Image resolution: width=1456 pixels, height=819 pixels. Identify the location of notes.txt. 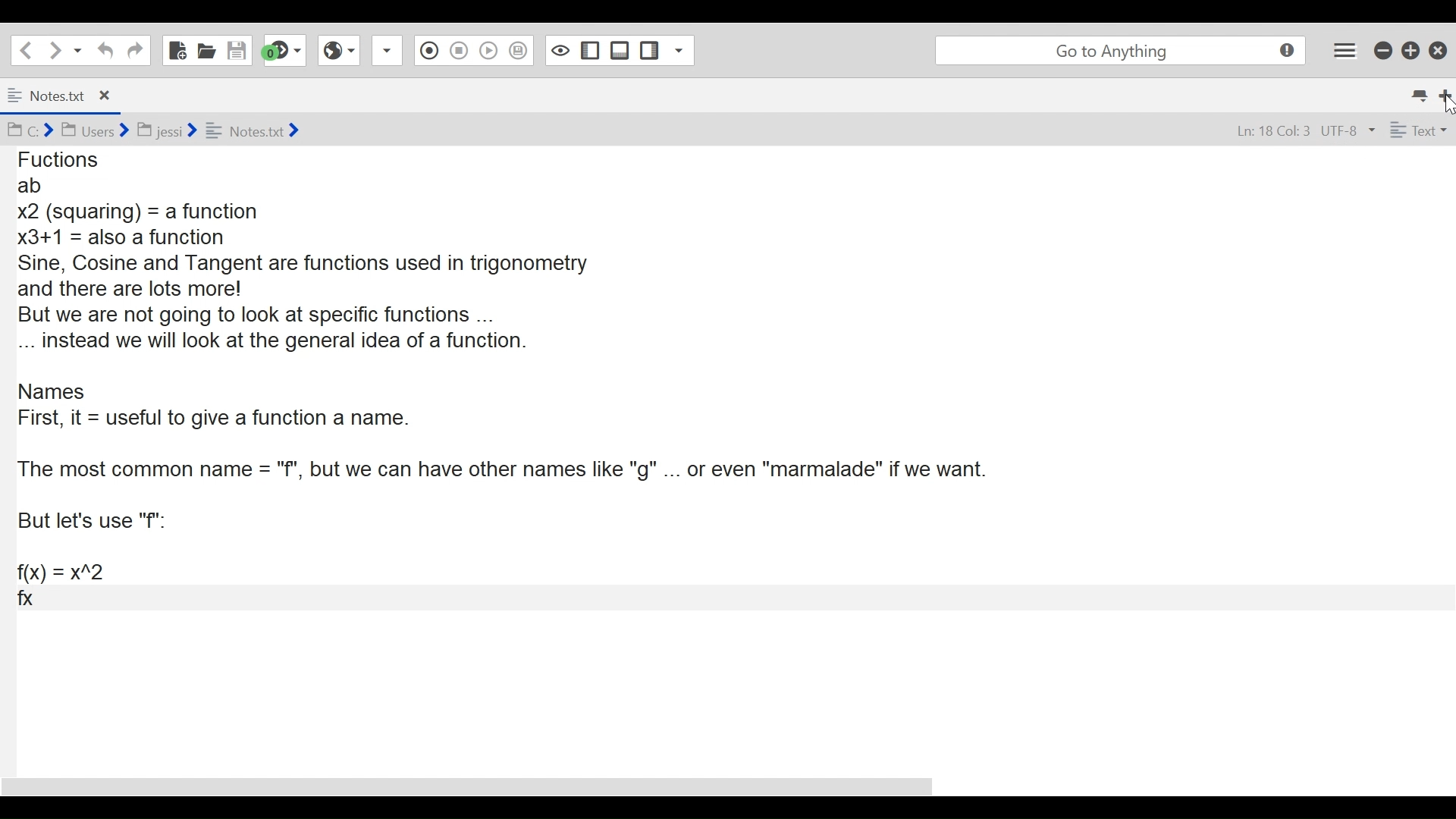
(253, 130).